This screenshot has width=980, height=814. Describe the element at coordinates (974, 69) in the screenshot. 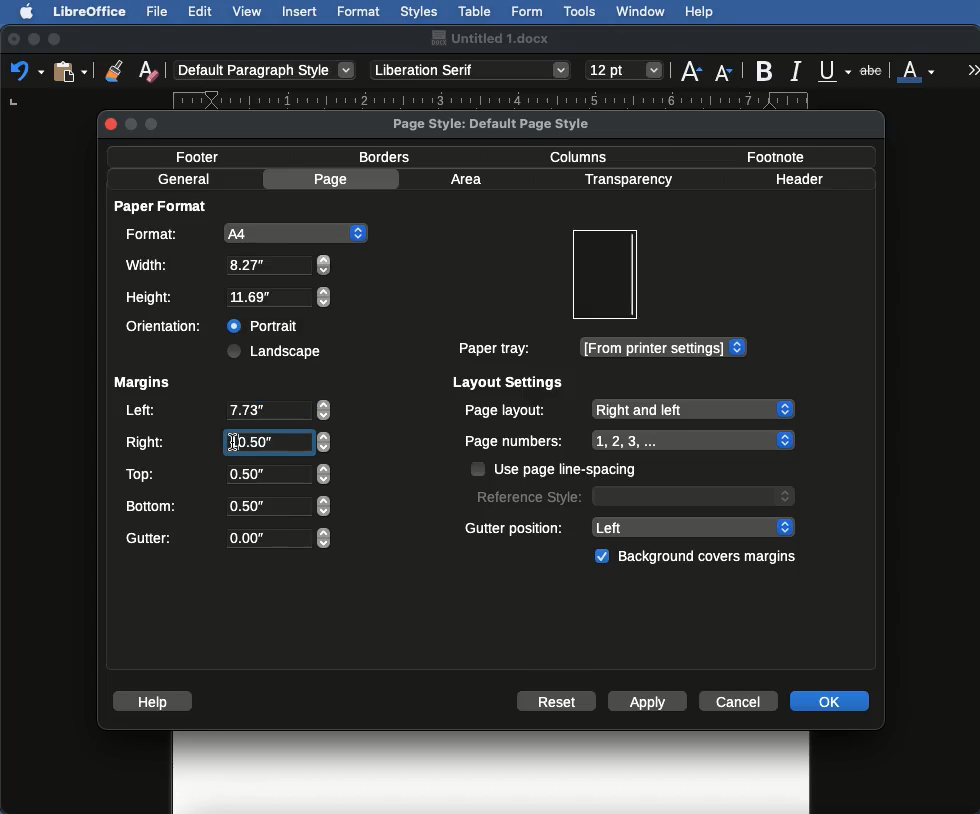

I see `More` at that location.